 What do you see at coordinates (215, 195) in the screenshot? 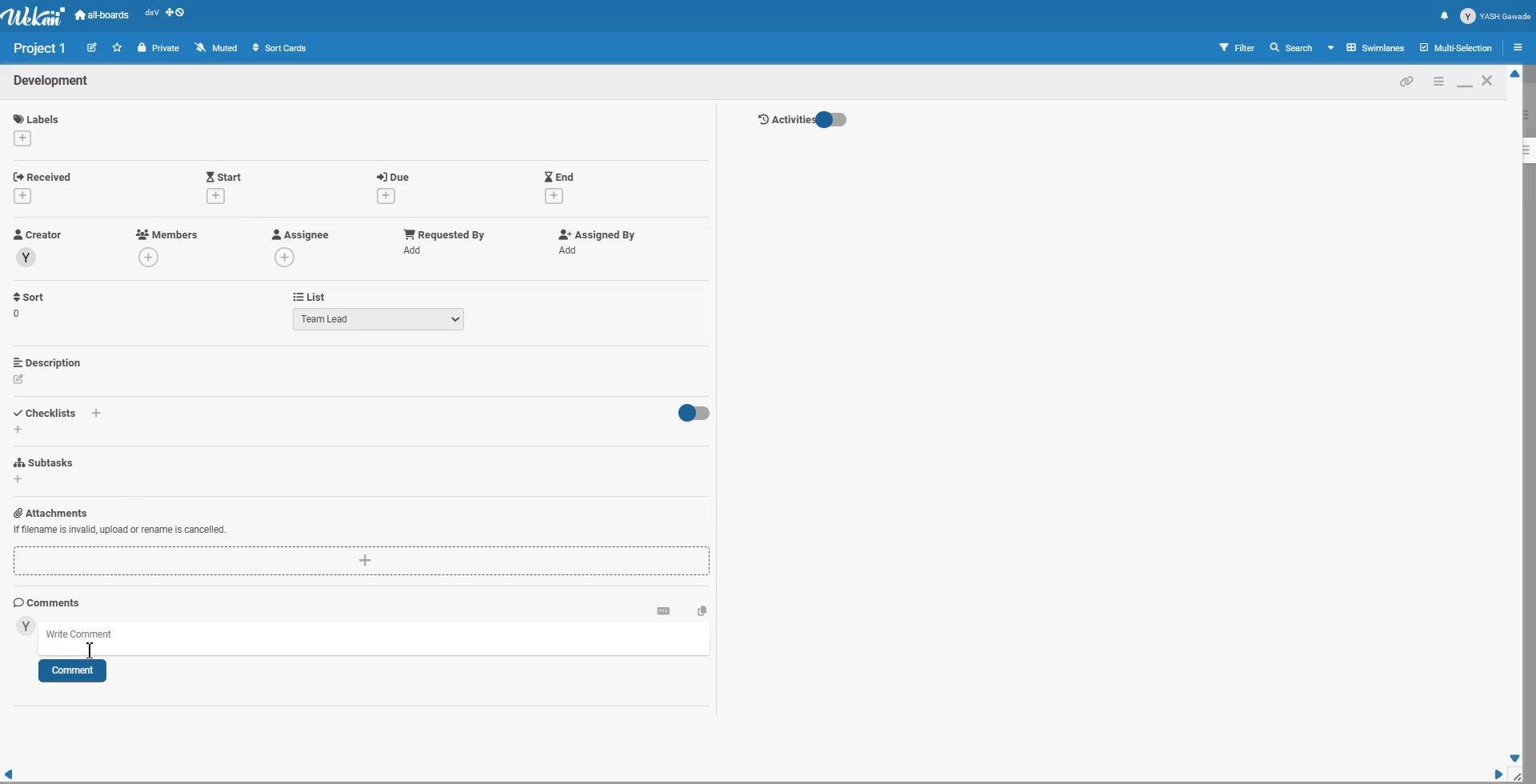
I see `add` at bounding box center [215, 195].